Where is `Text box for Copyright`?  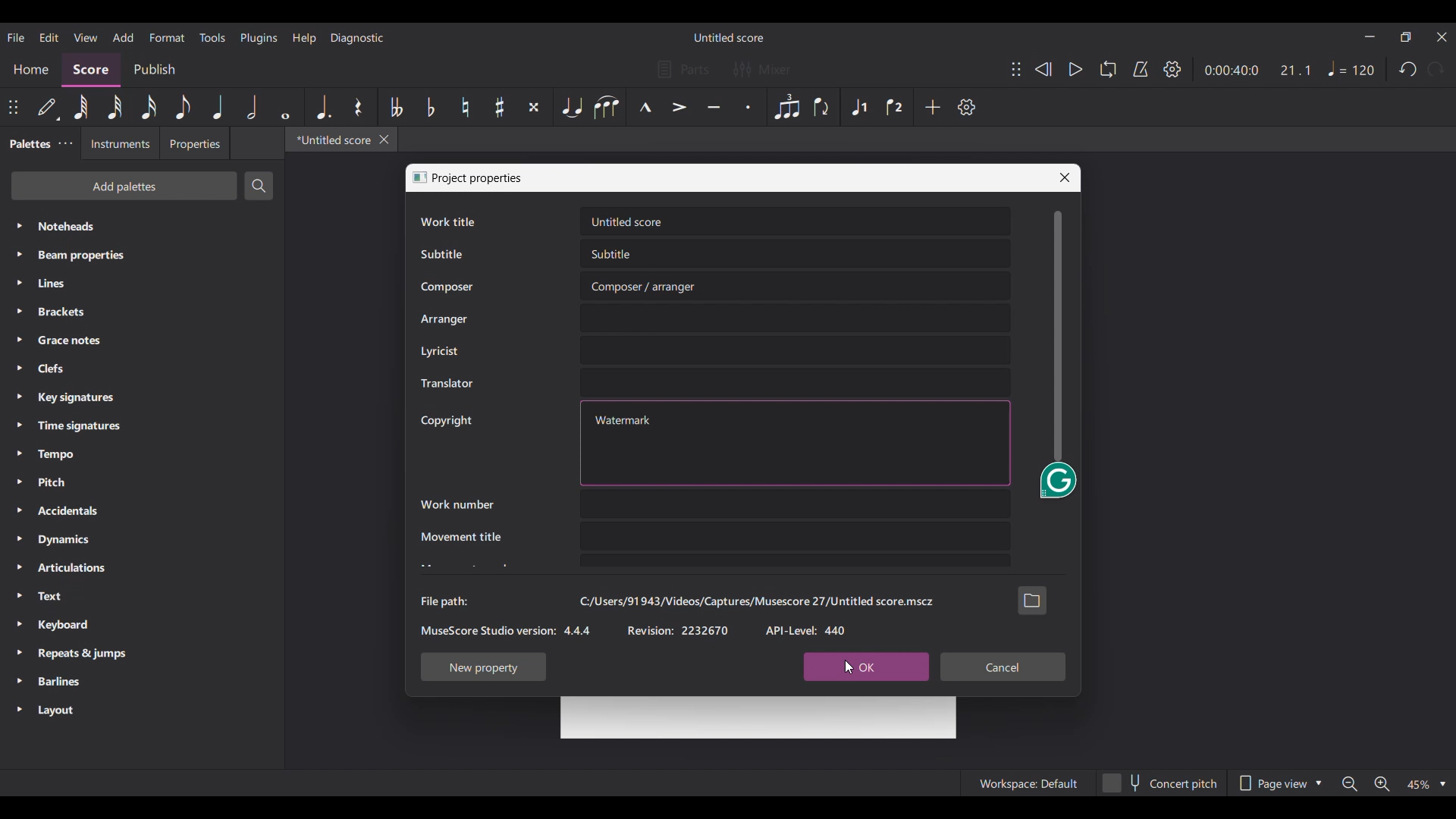 Text box for Copyright is located at coordinates (835, 443).